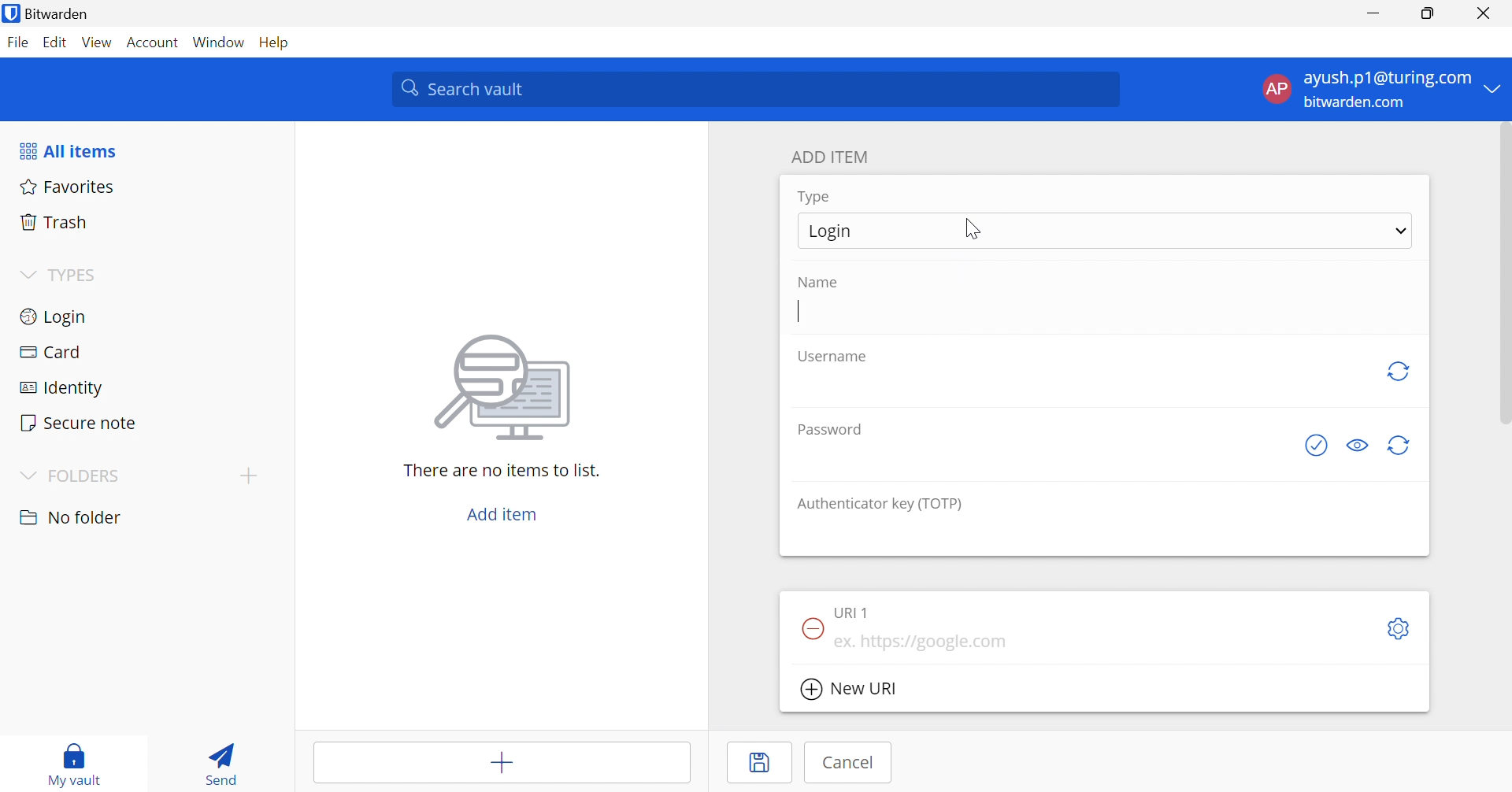  Describe the element at coordinates (1105, 231) in the screenshot. I see `Login` at that location.